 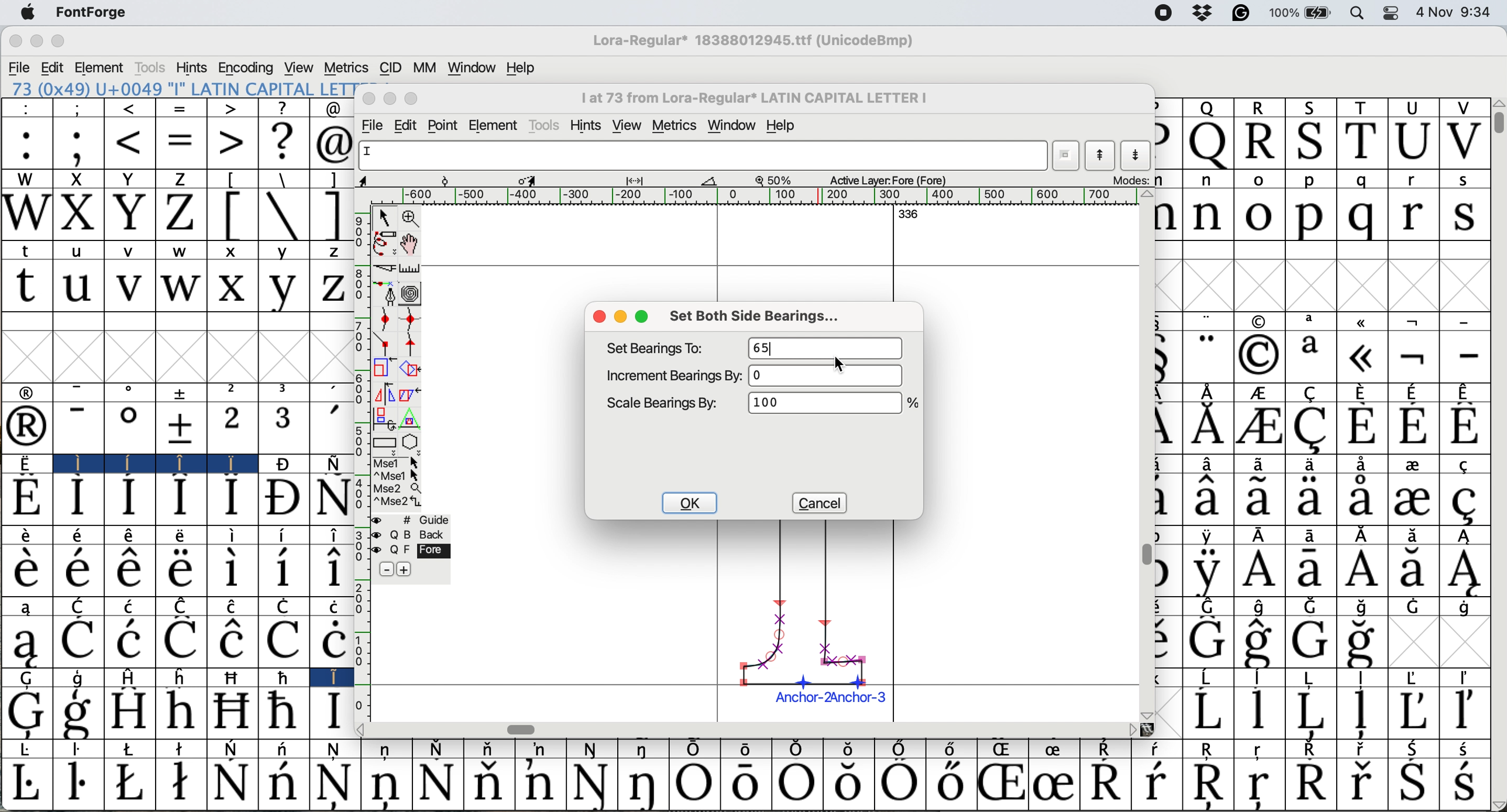 I want to click on 4 Nov 9:34, so click(x=1456, y=12).